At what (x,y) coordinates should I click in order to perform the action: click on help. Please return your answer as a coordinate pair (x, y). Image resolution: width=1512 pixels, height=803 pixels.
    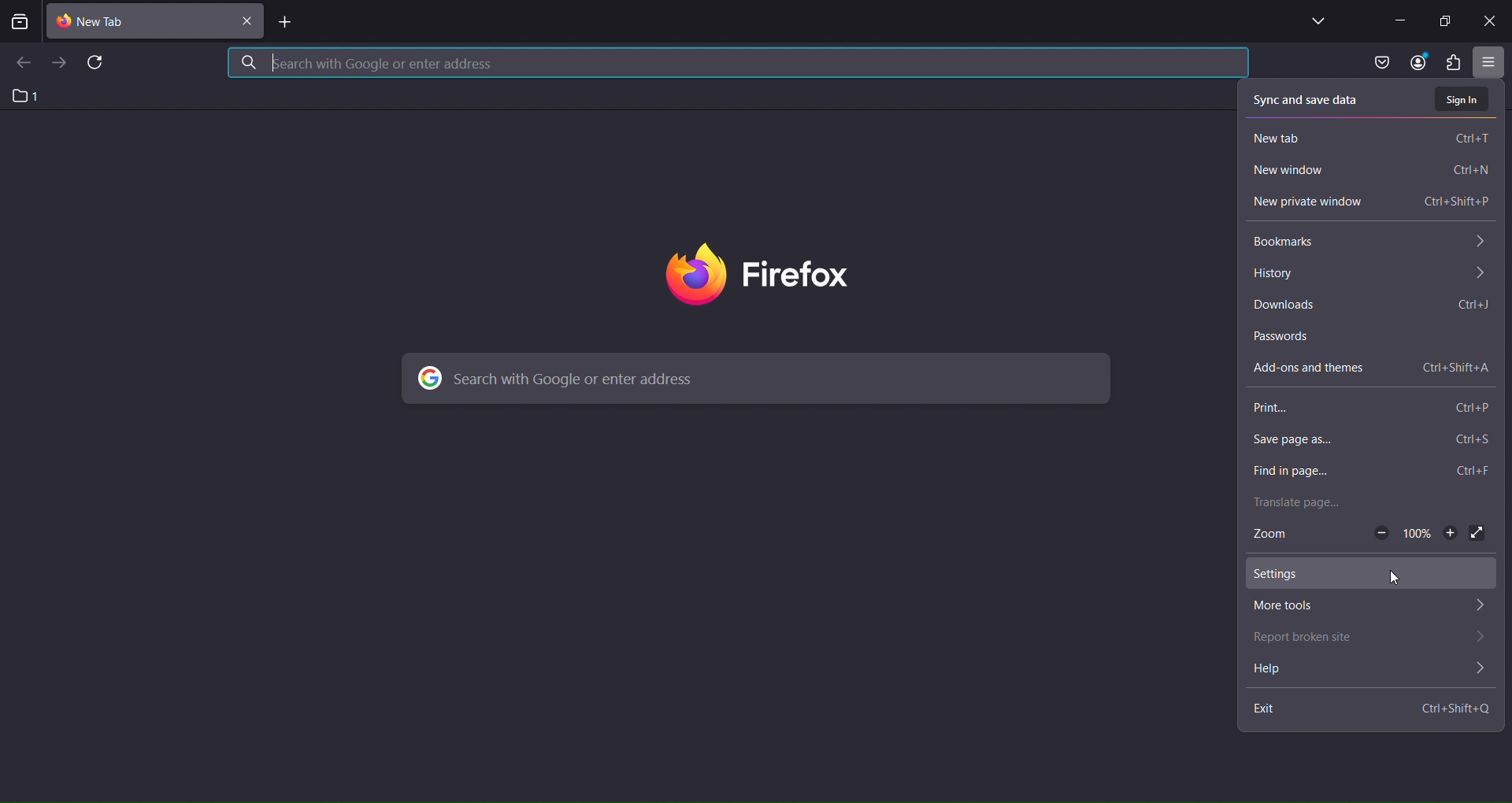
    Looking at the image, I should click on (1369, 671).